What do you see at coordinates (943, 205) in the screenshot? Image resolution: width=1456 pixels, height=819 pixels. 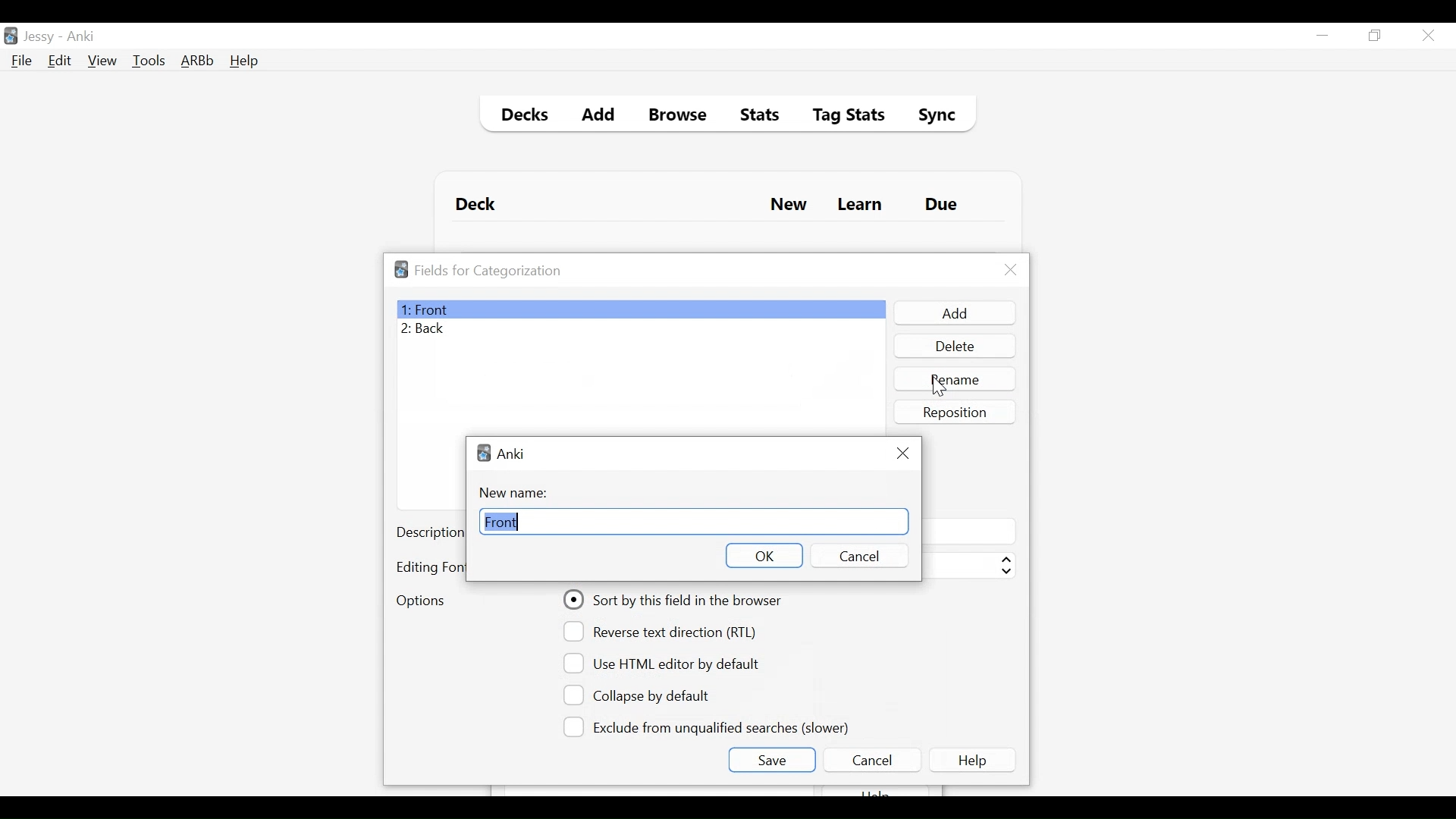 I see `Due` at bounding box center [943, 205].